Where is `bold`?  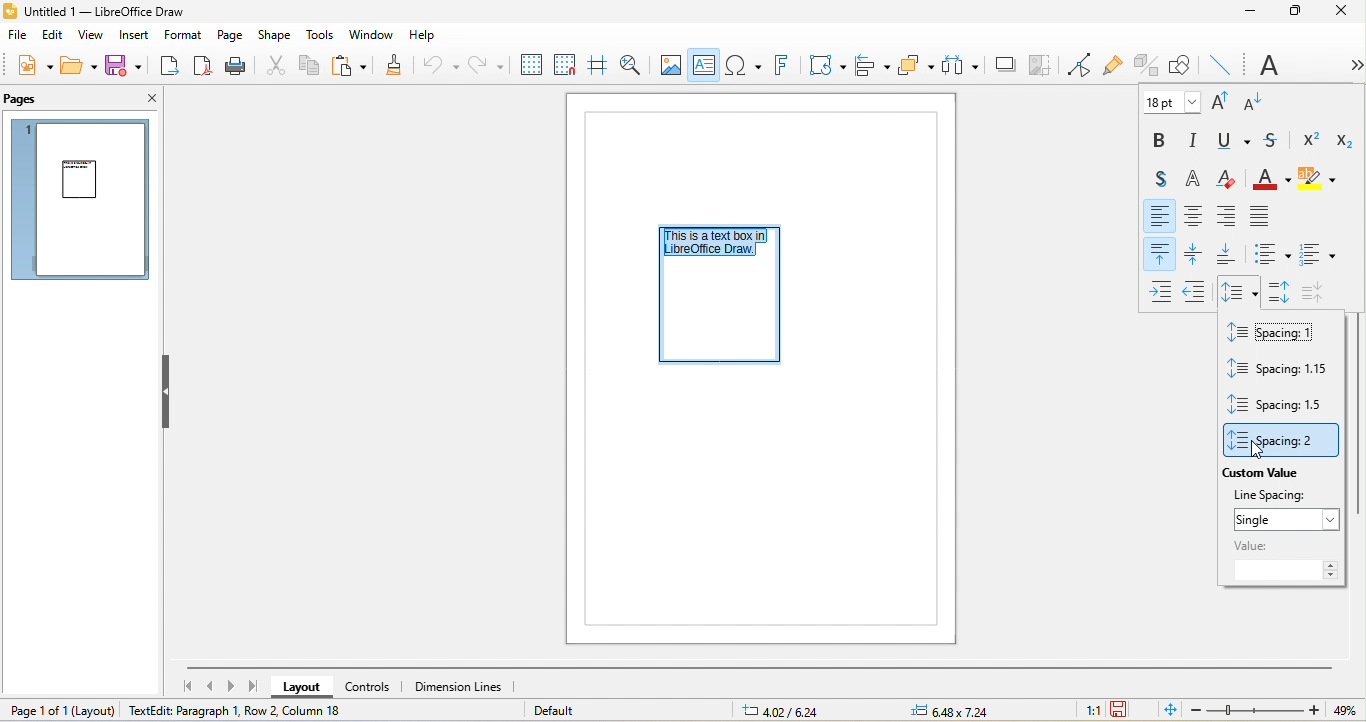
bold is located at coordinates (1161, 140).